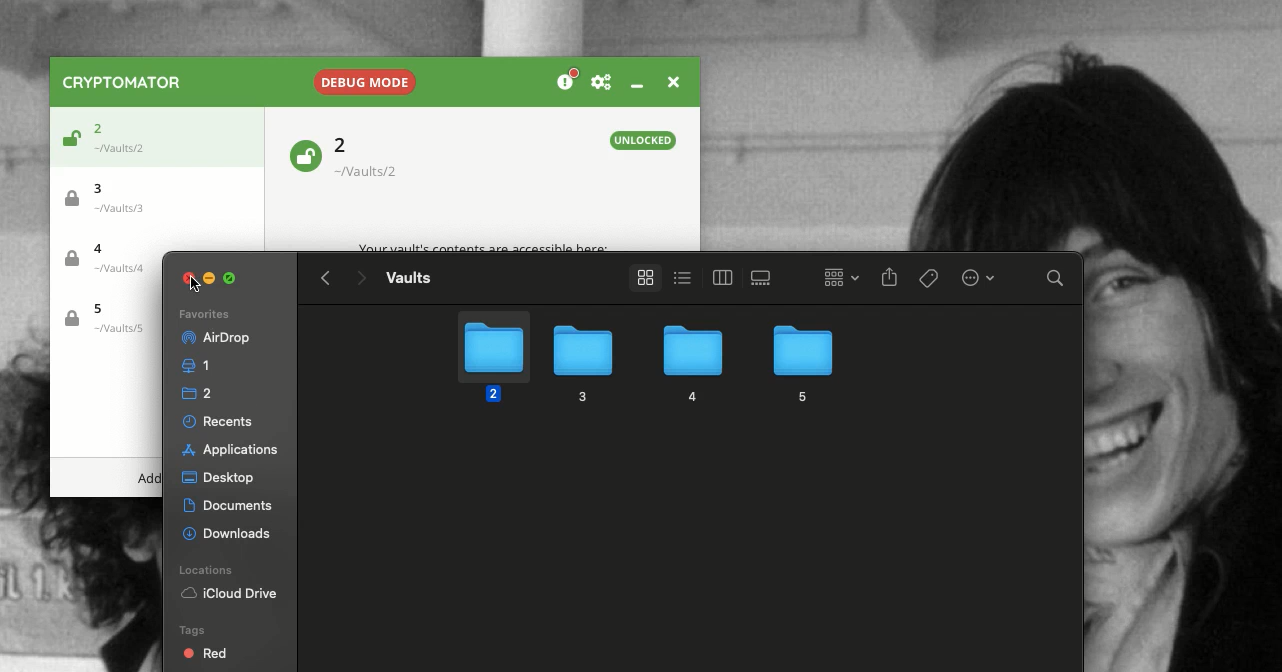 The width and height of the screenshot is (1282, 672). What do you see at coordinates (210, 276) in the screenshot?
I see `Minimize` at bounding box center [210, 276].